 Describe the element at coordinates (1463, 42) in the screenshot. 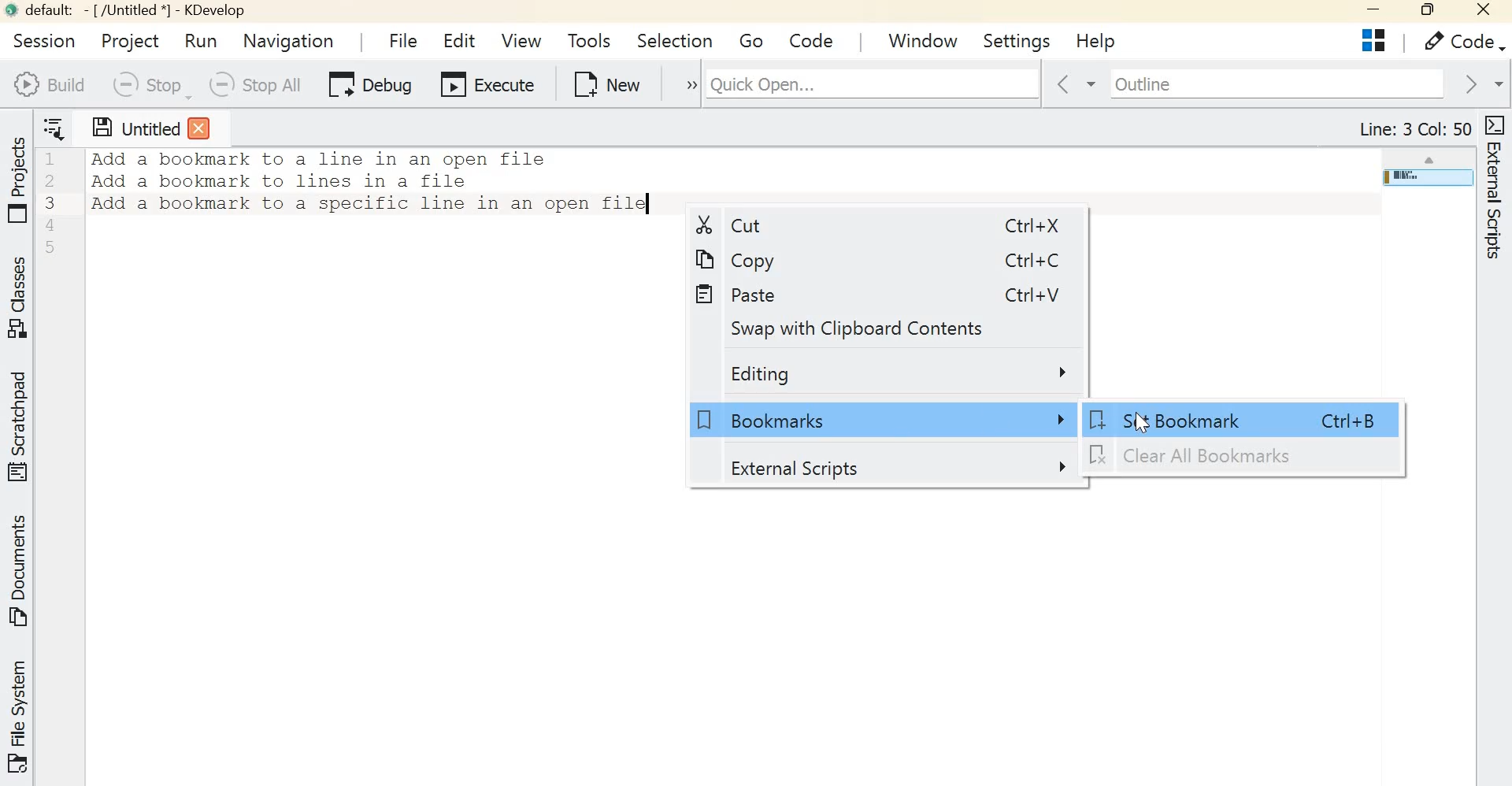

I see `Code` at that location.